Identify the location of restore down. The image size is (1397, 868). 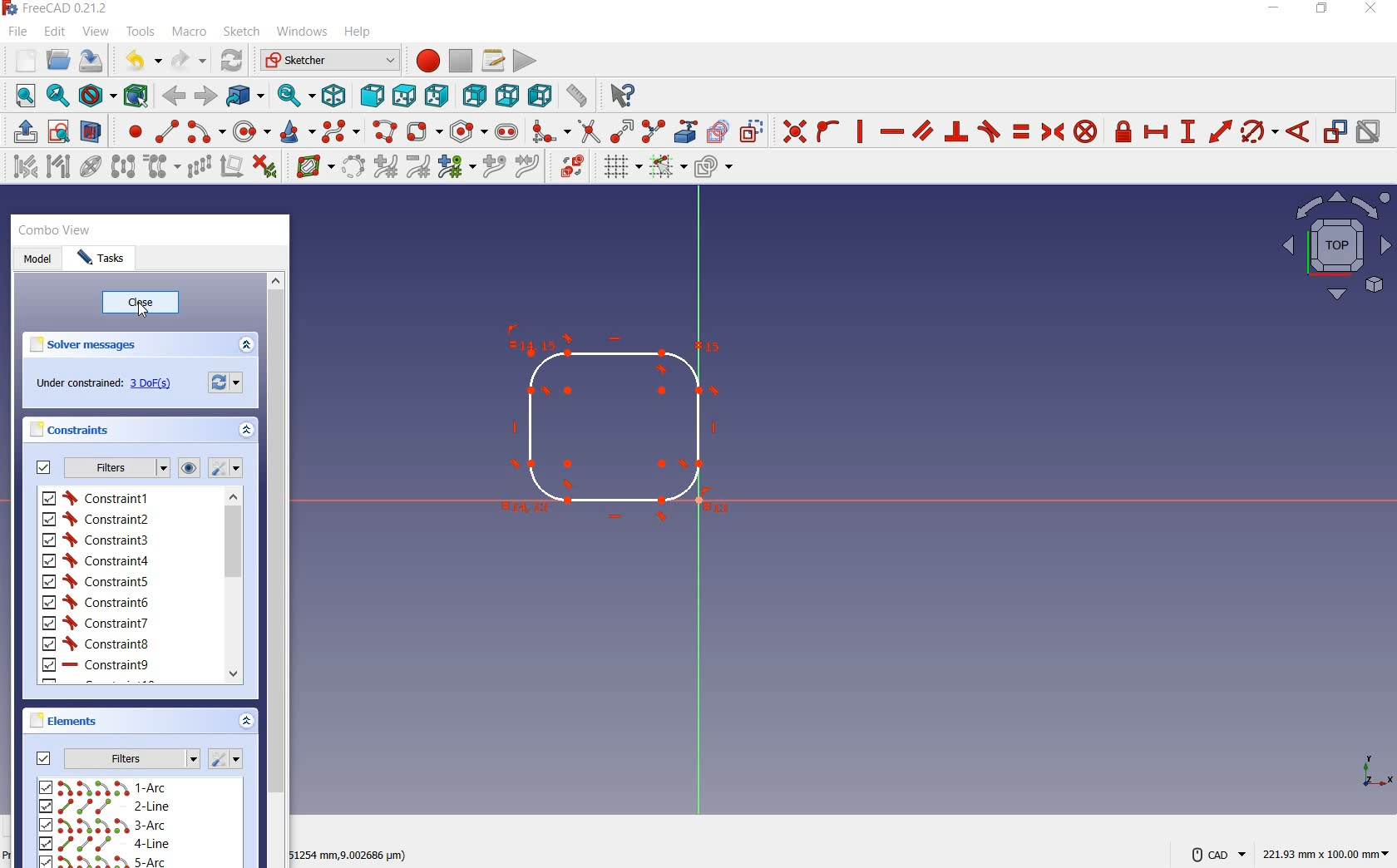
(1323, 11).